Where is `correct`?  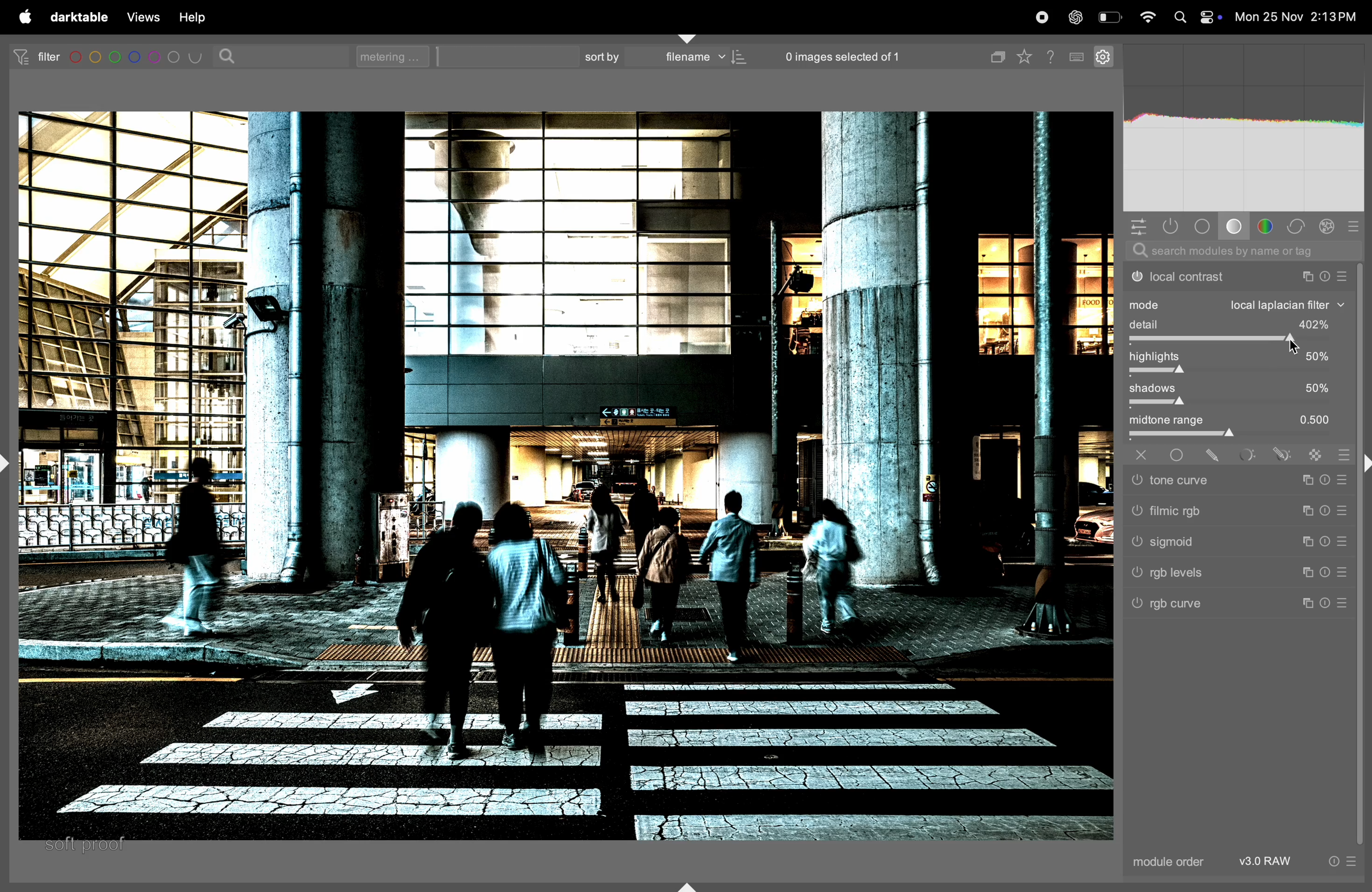
correct is located at coordinates (1297, 227).